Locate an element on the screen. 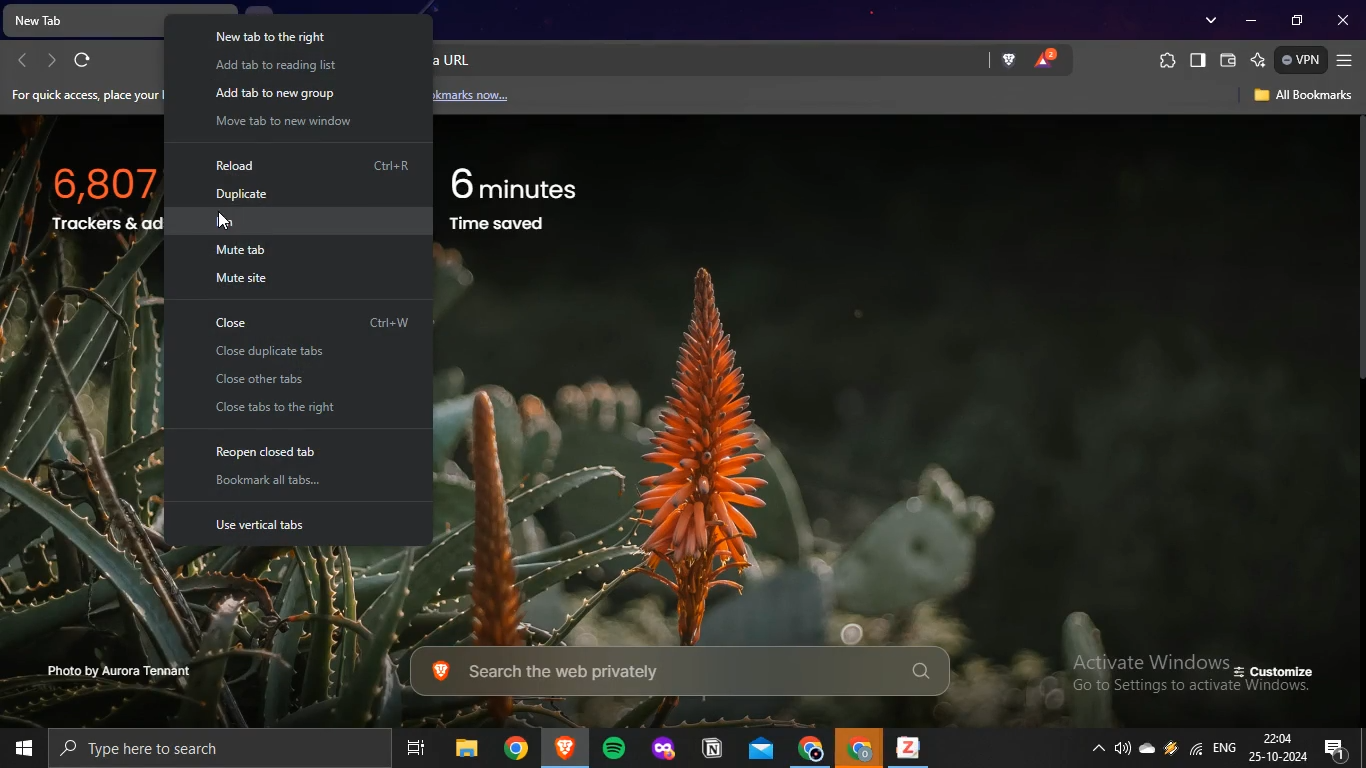  restore down is located at coordinates (1298, 20).